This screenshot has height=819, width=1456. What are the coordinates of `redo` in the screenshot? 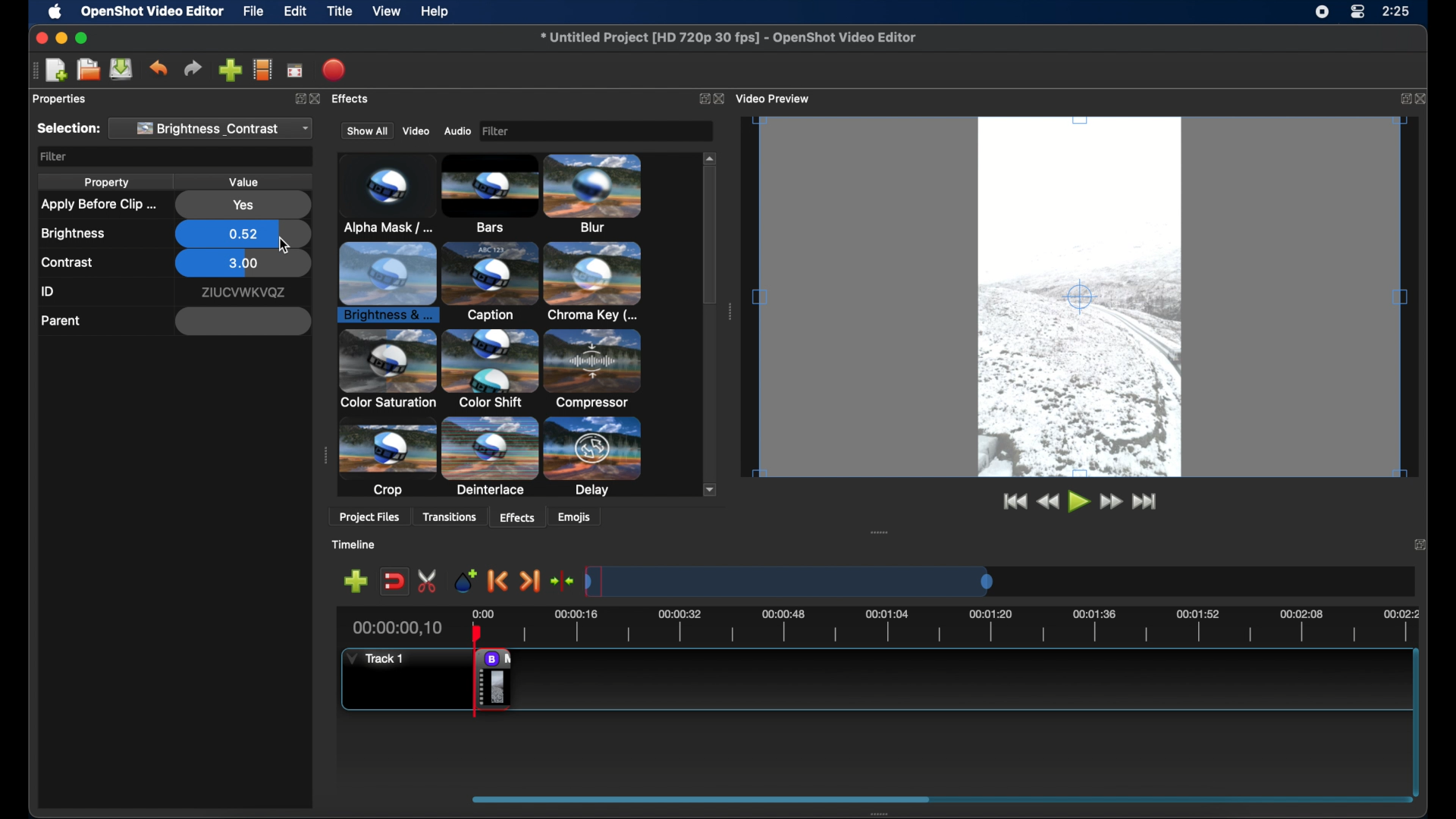 It's located at (193, 68).